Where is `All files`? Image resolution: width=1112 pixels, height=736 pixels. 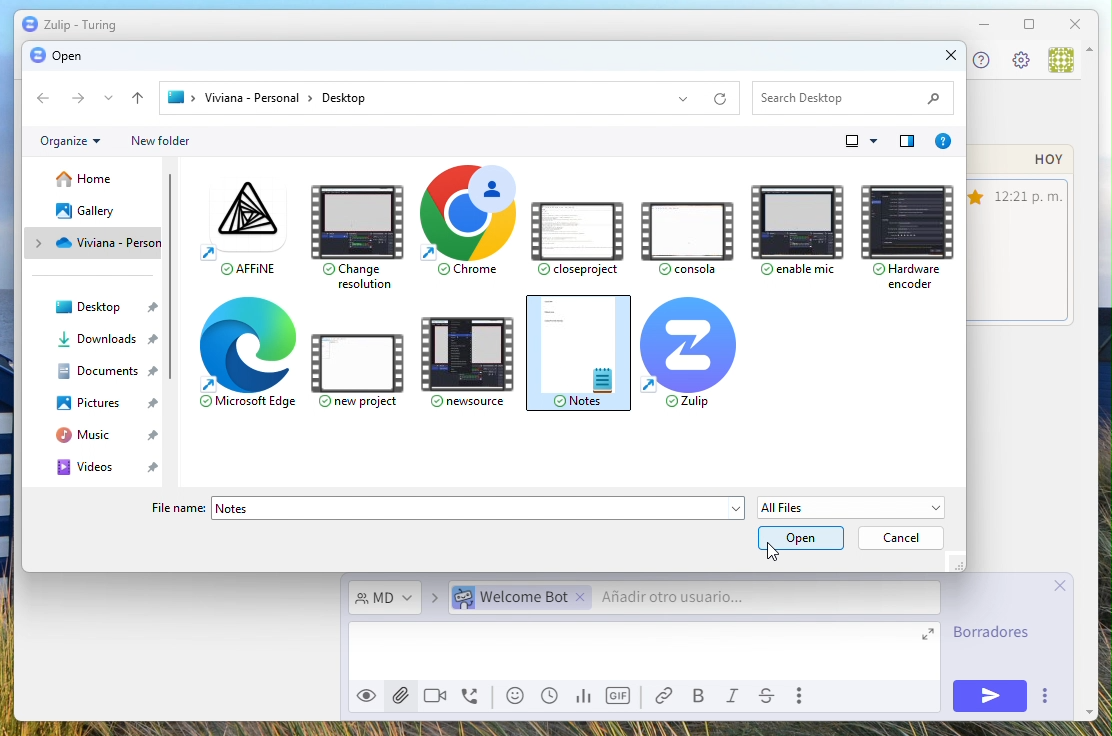 All files is located at coordinates (854, 507).